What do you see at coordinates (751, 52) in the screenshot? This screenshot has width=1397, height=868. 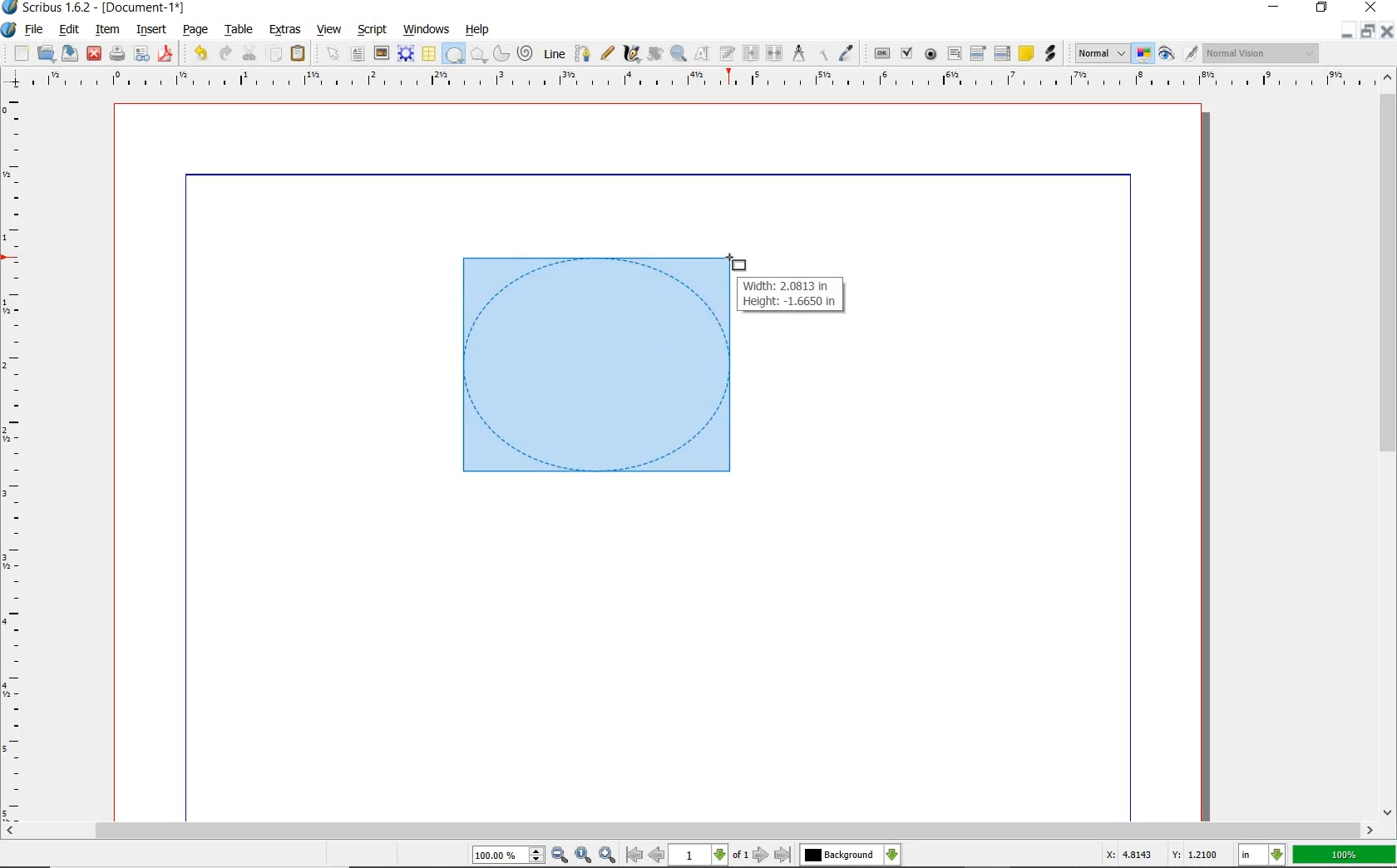 I see `LINK TEXT FRAME` at bounding box center [751, 52].